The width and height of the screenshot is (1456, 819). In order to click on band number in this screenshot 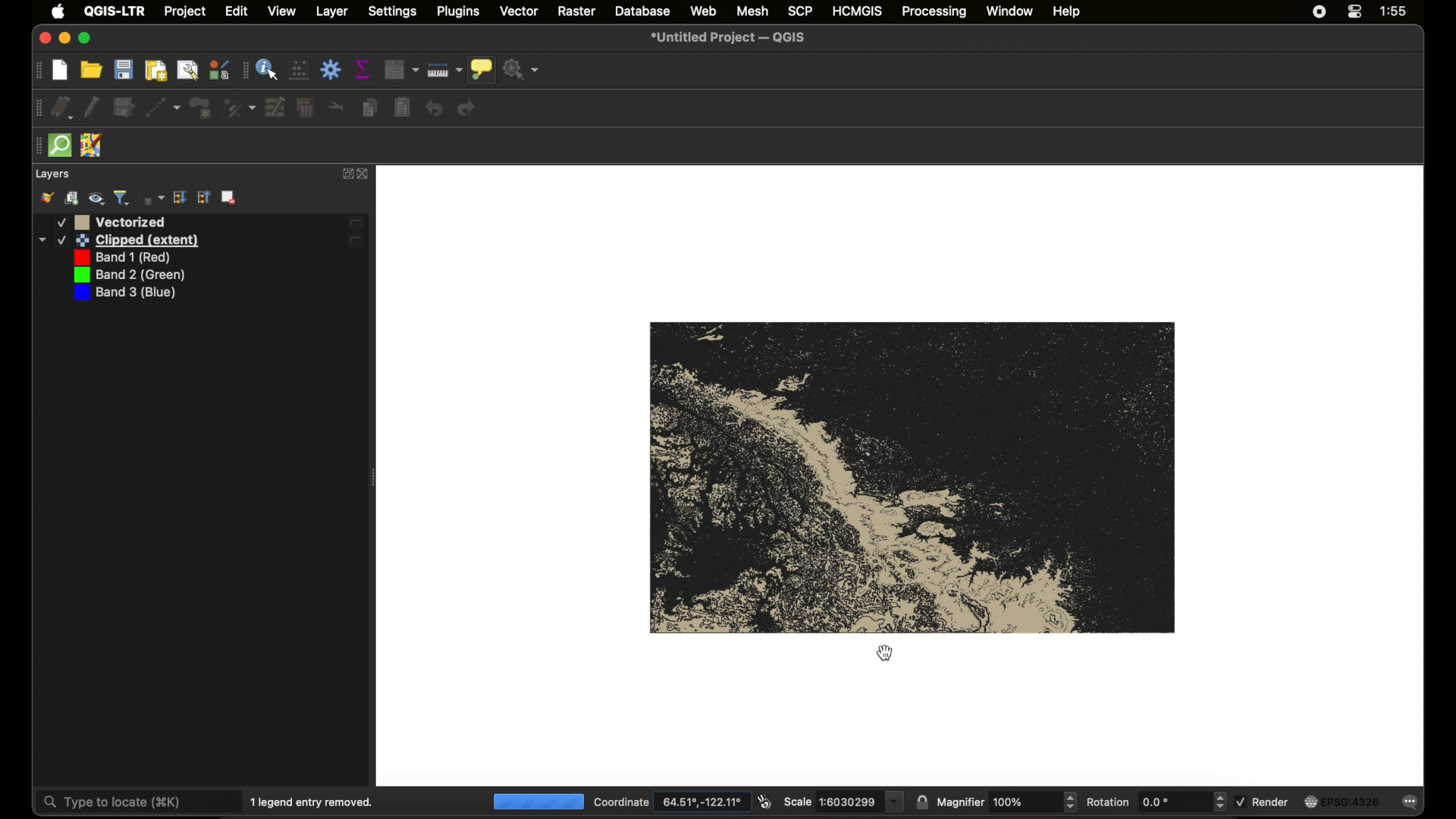, I will do `click(119, 297)`.